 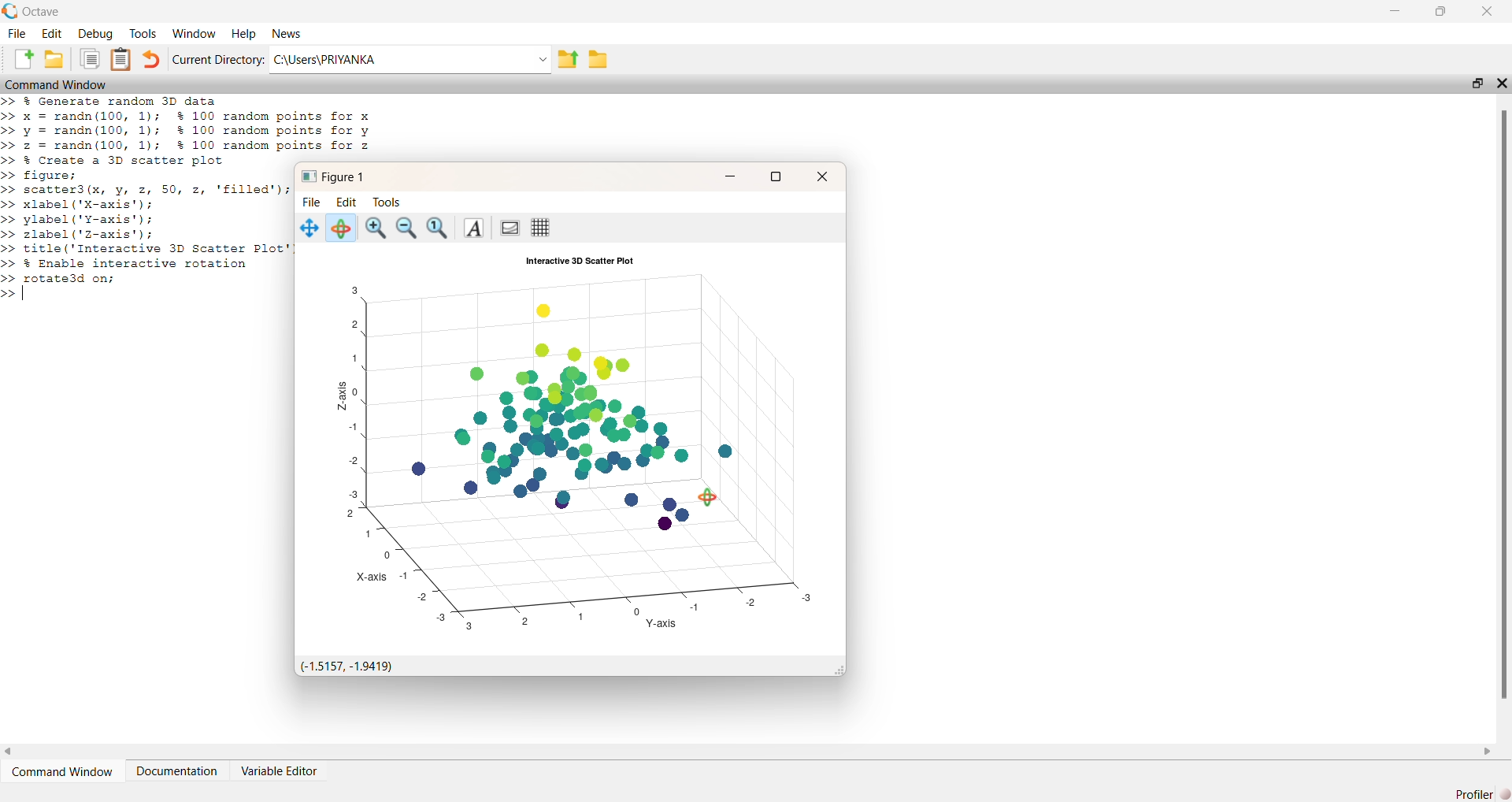 I want to click on Documentation, so click(x=176, y=771).